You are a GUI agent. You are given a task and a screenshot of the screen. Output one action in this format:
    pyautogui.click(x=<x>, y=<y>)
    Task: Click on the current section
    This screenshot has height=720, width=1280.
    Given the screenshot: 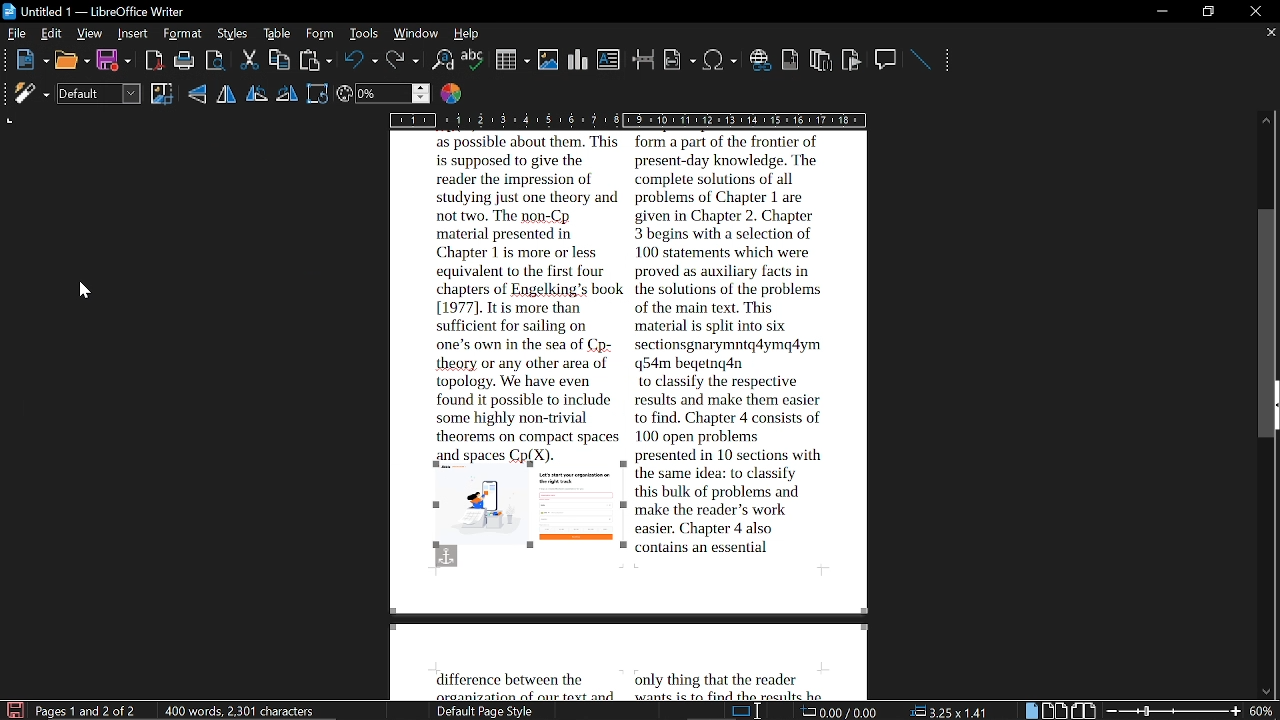 What is the action you would take?
    pyautogui.click(x=842, y=711)
    